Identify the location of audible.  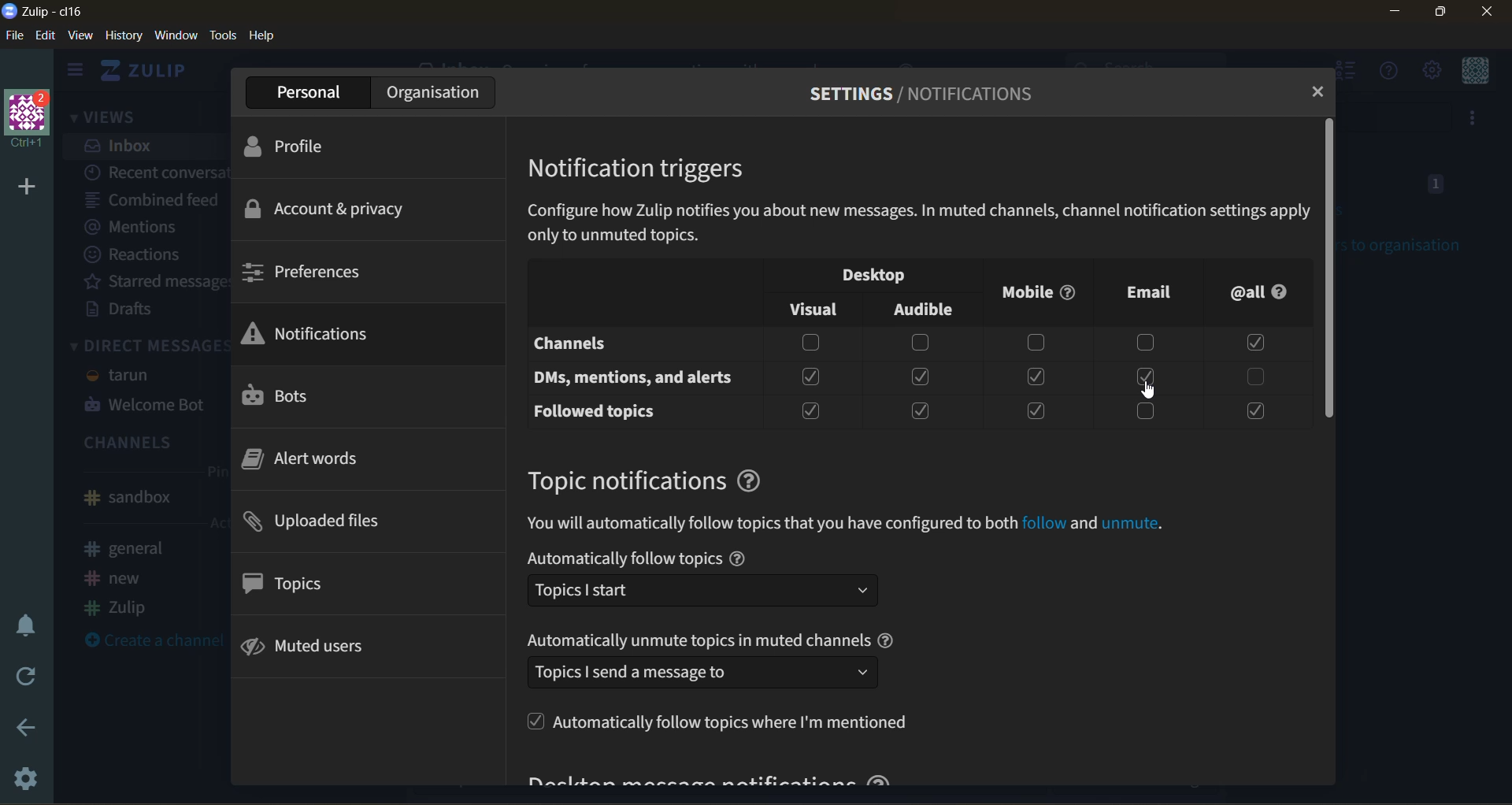
(925, 306).